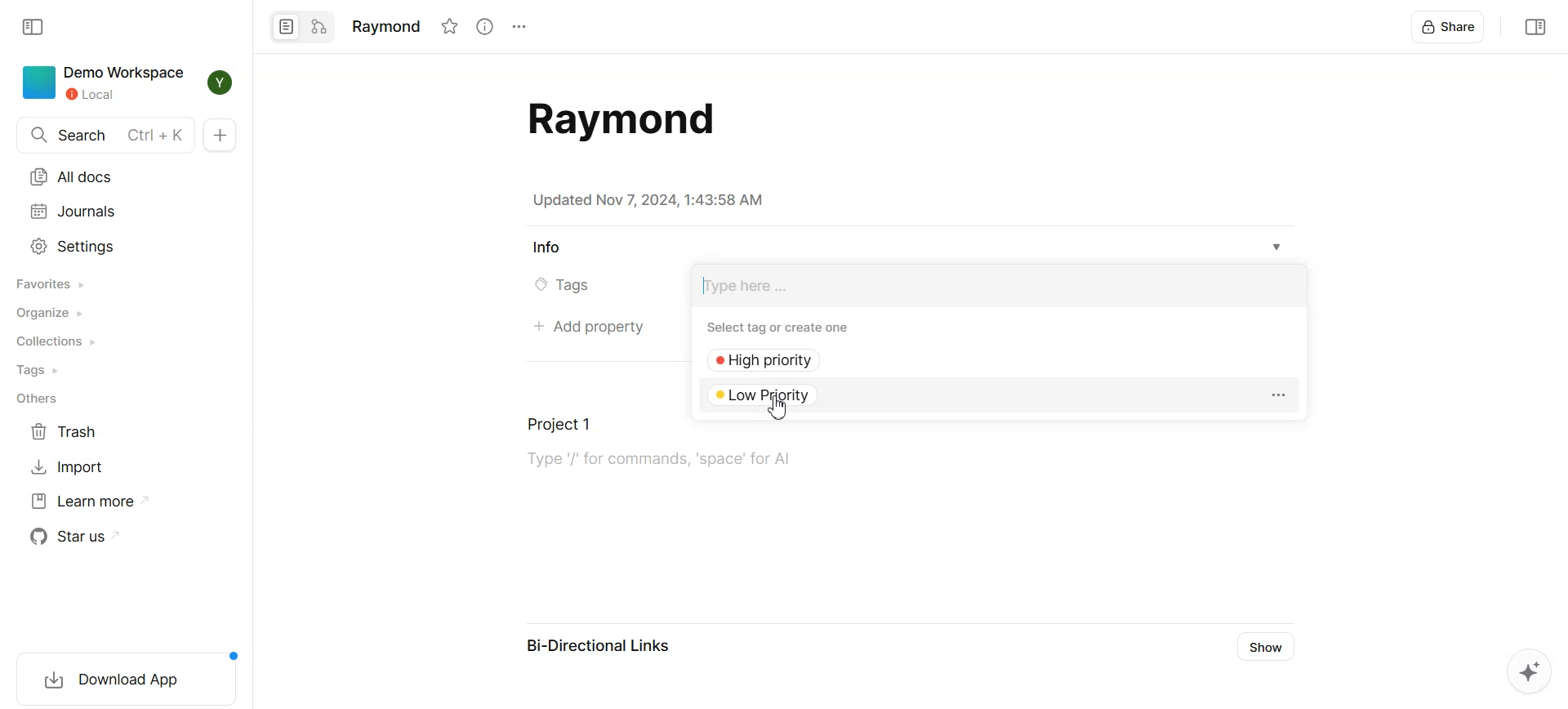 The image size is (1568, 709). I want to click on Add property, so click(587, 328).